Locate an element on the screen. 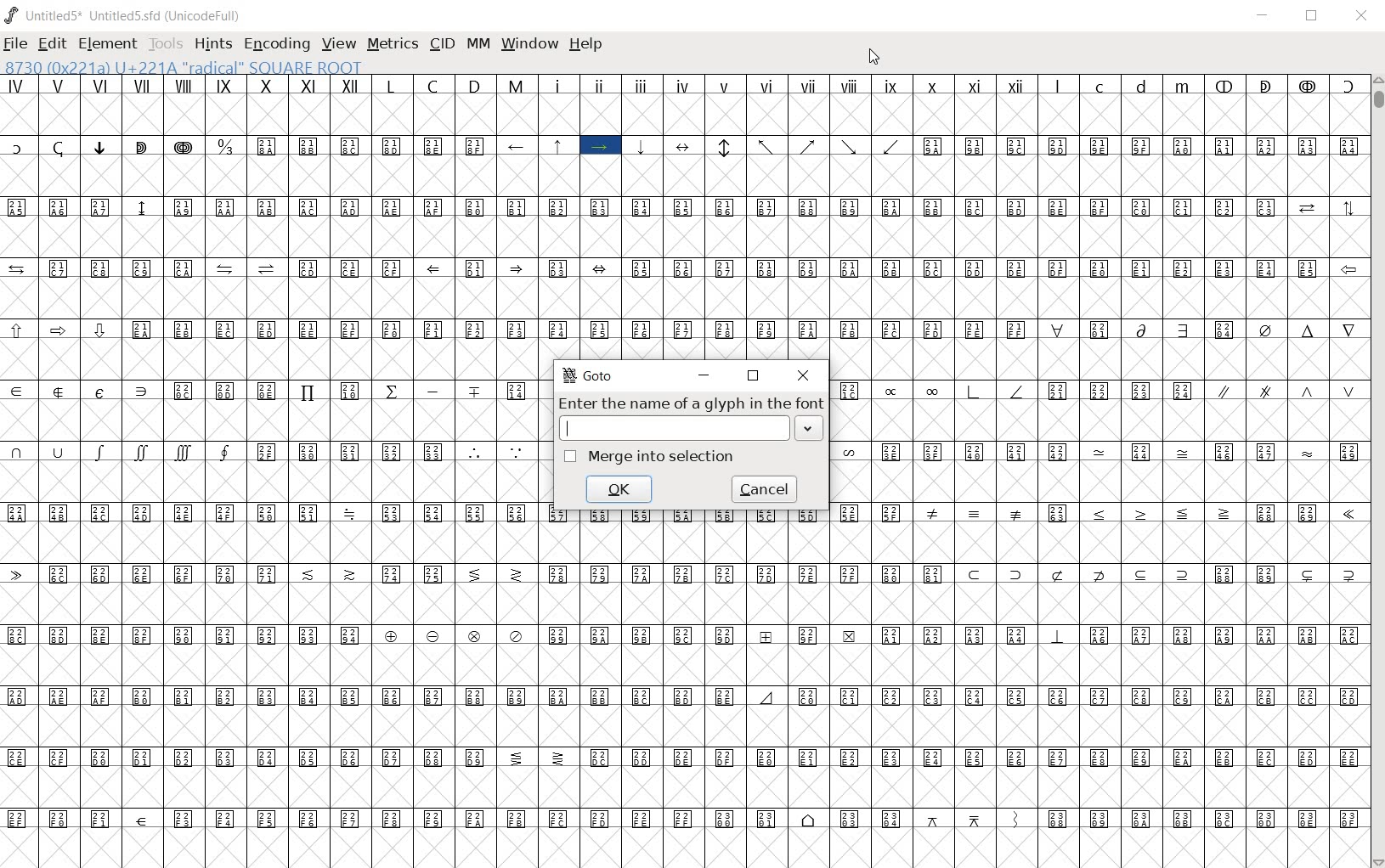 The image size is (1385, 868). glyph characters is located at coordinates (273, 472).